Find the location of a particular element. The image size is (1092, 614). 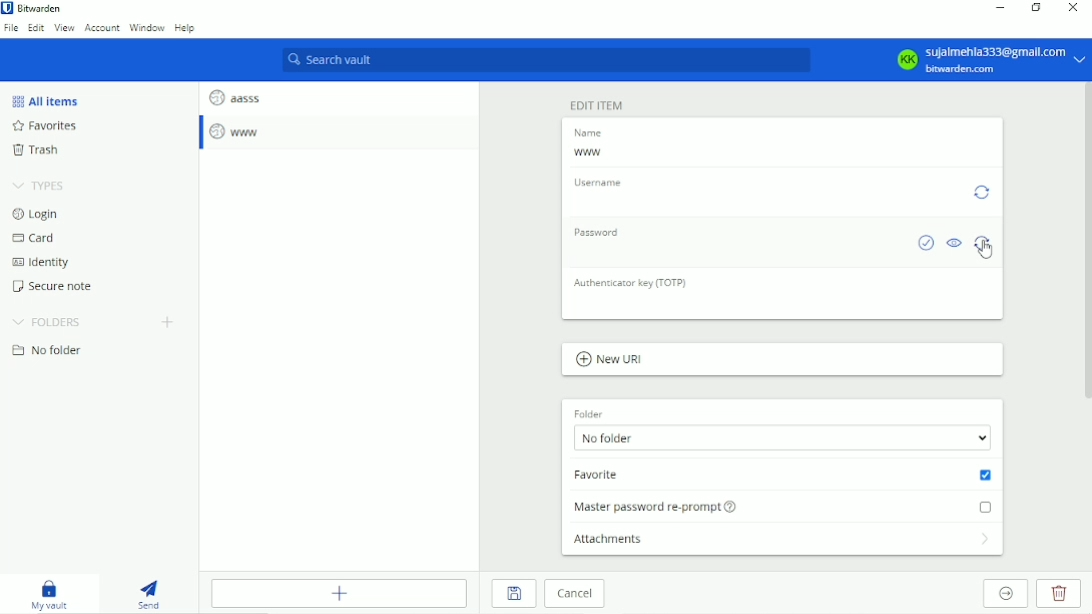

Edit is located at coordinates (37, 29).